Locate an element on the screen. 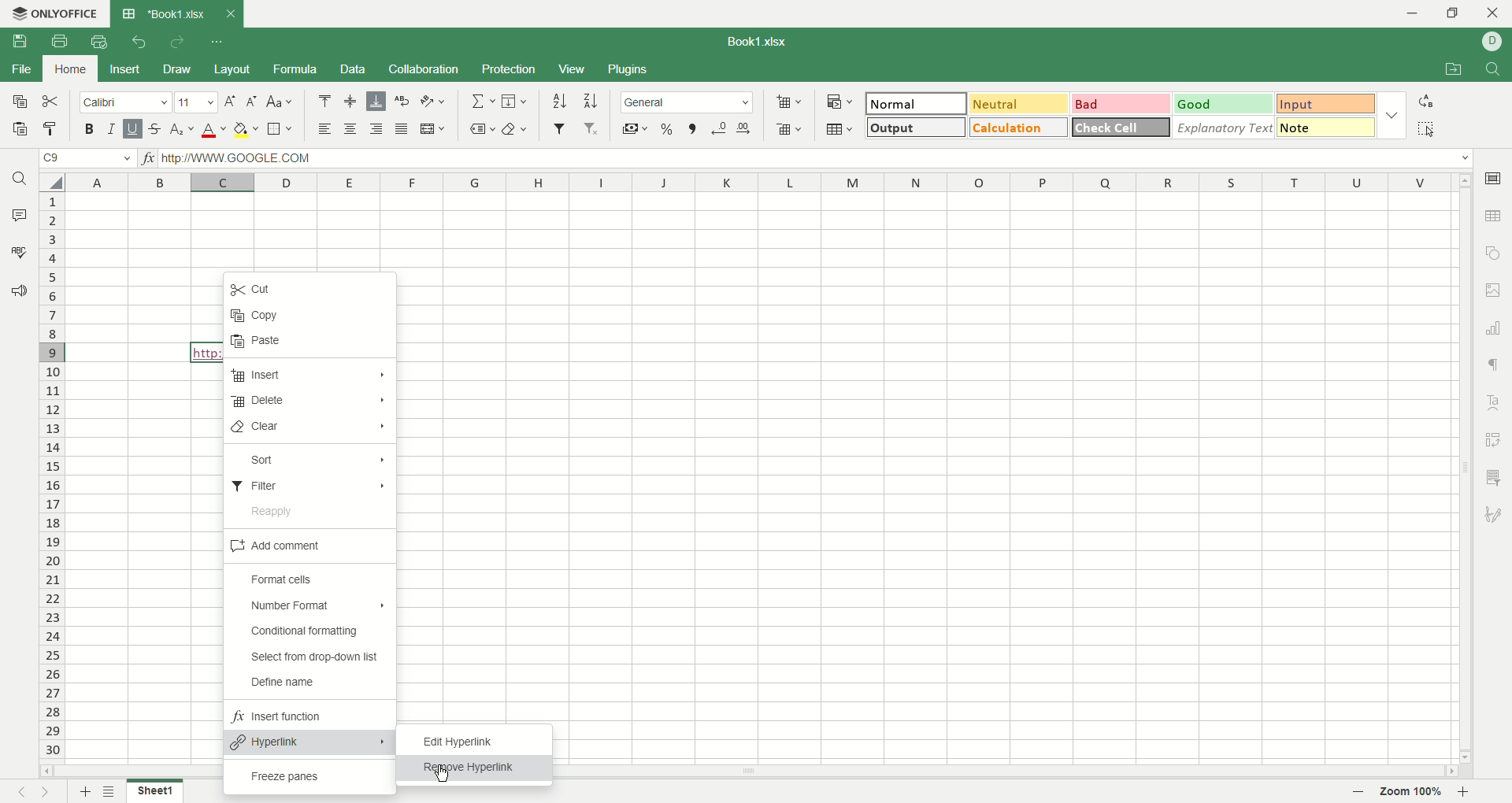 The height and width of the screenshot is (803, 1512). neutral is located at coordinates (1017, 103).